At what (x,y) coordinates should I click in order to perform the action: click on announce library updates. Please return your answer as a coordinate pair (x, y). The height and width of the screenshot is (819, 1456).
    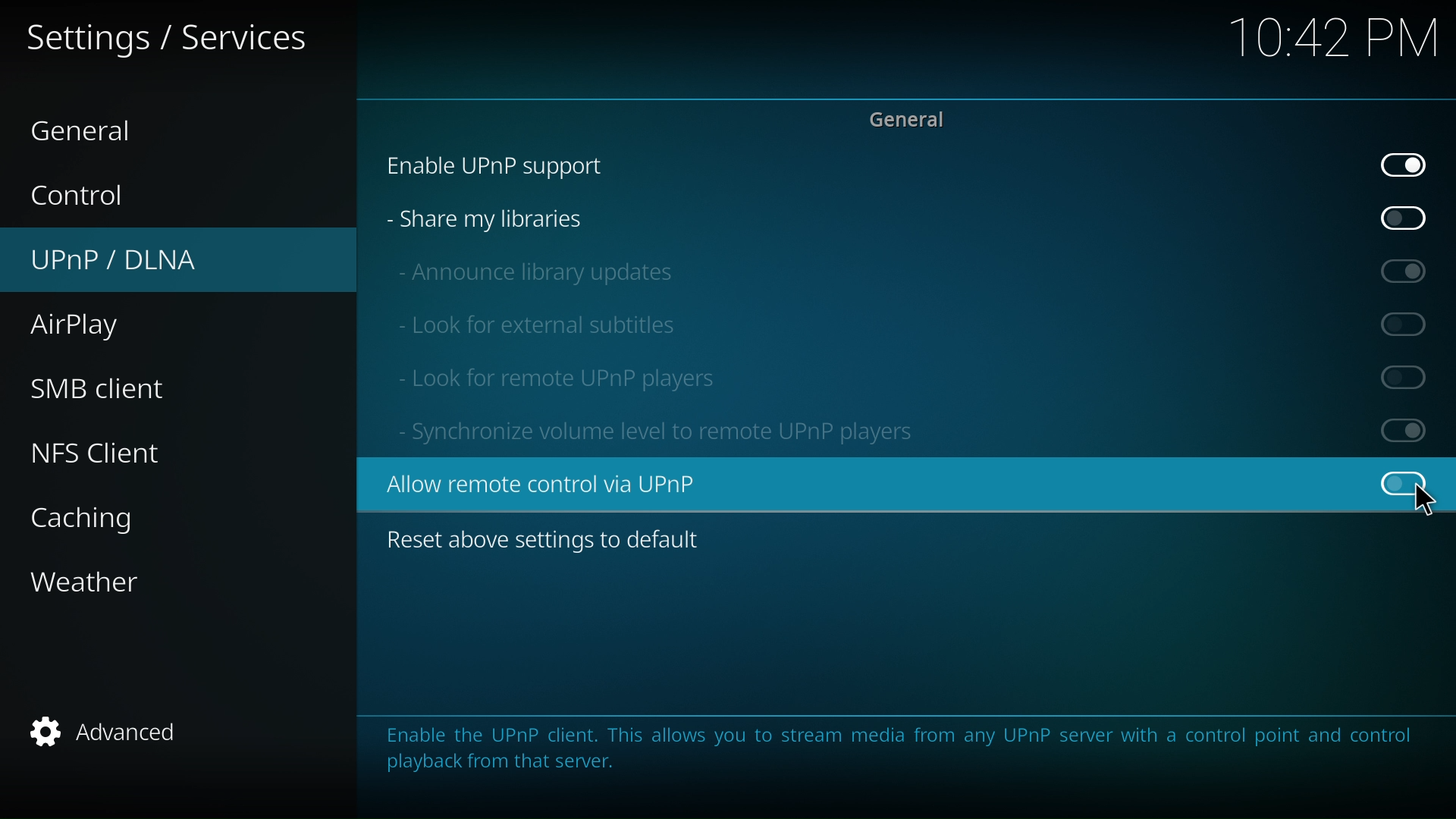
    Looking at the image, I should click on (915, 268).